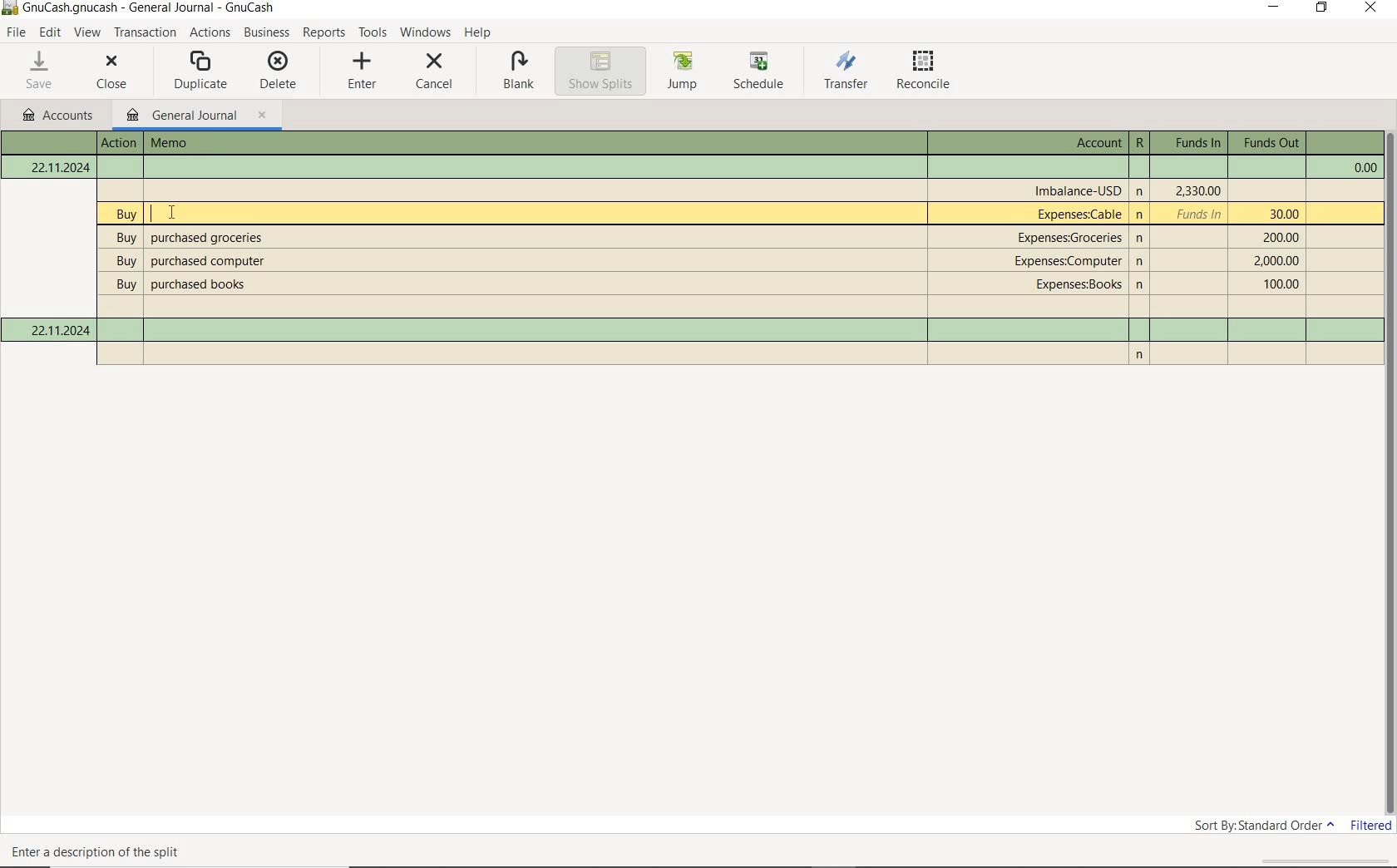 This screenshot has width=1397, height=868. I want to click on Text, so click(120, 143).